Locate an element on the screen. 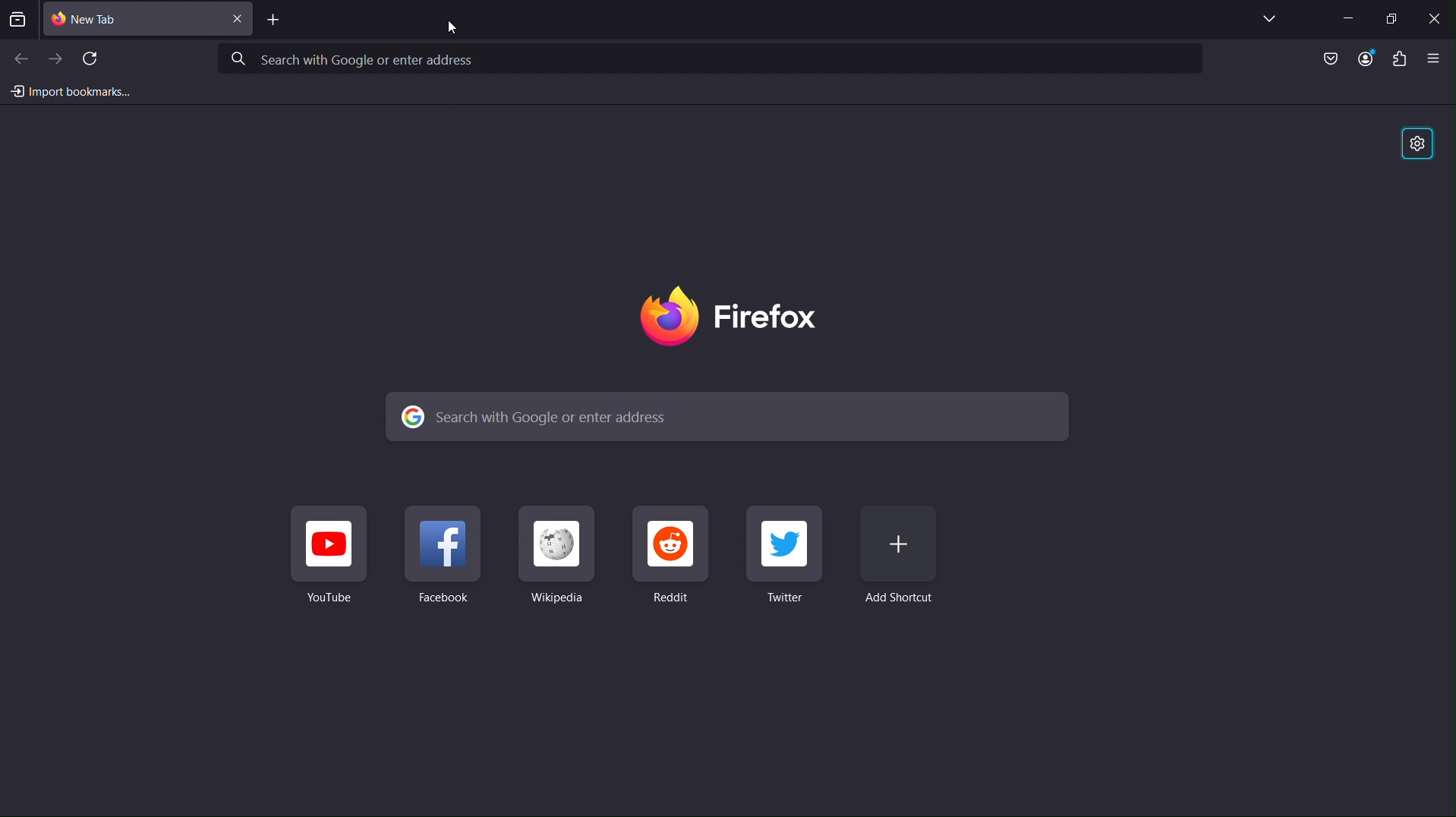 The width and height of the screenshot is (1456, 817). Settings is located at coordinates (1414, 145).